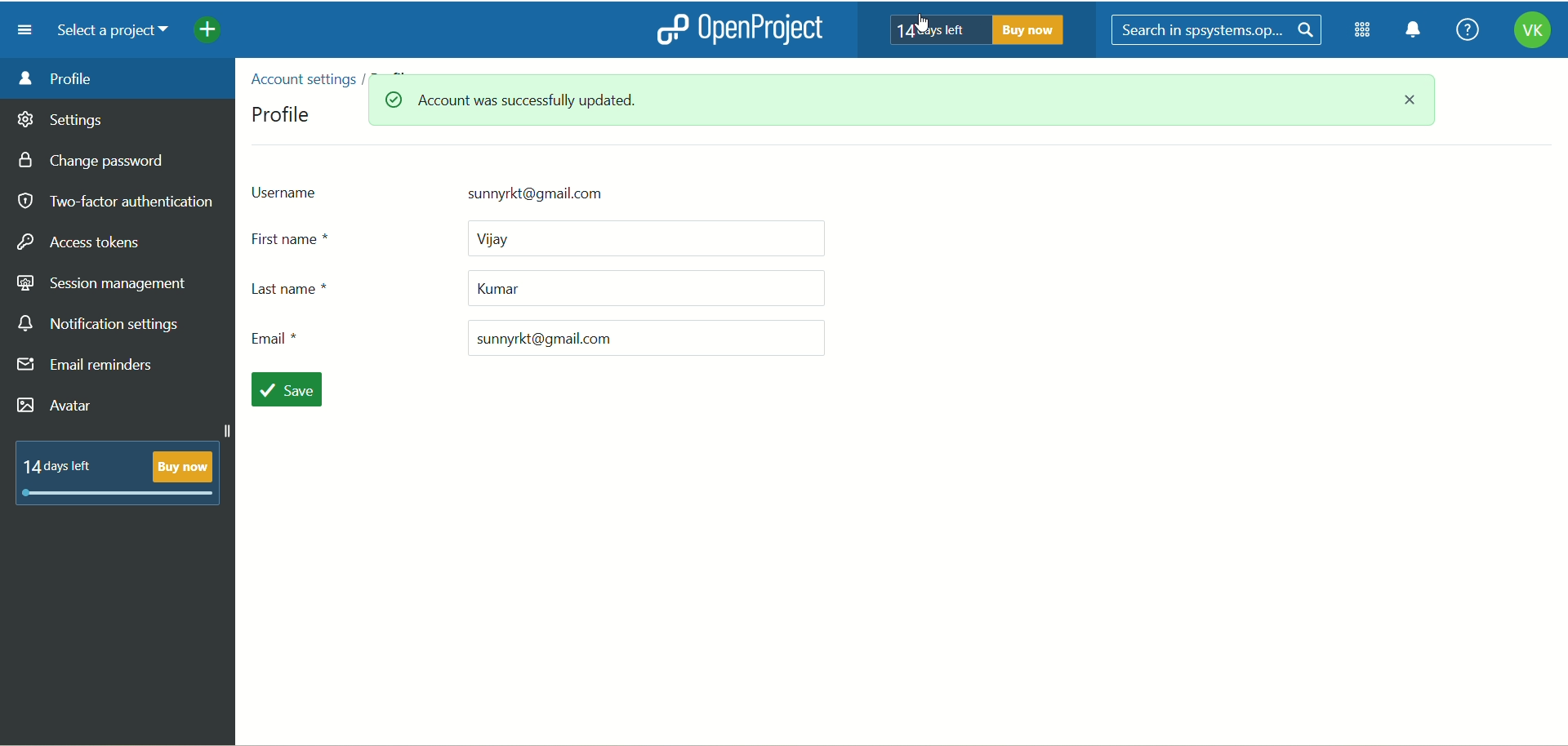 This screenshot has height=746, width=1568. Describe the element at coordinates (1218, 30) in the screenshot. I see `search` at that location.